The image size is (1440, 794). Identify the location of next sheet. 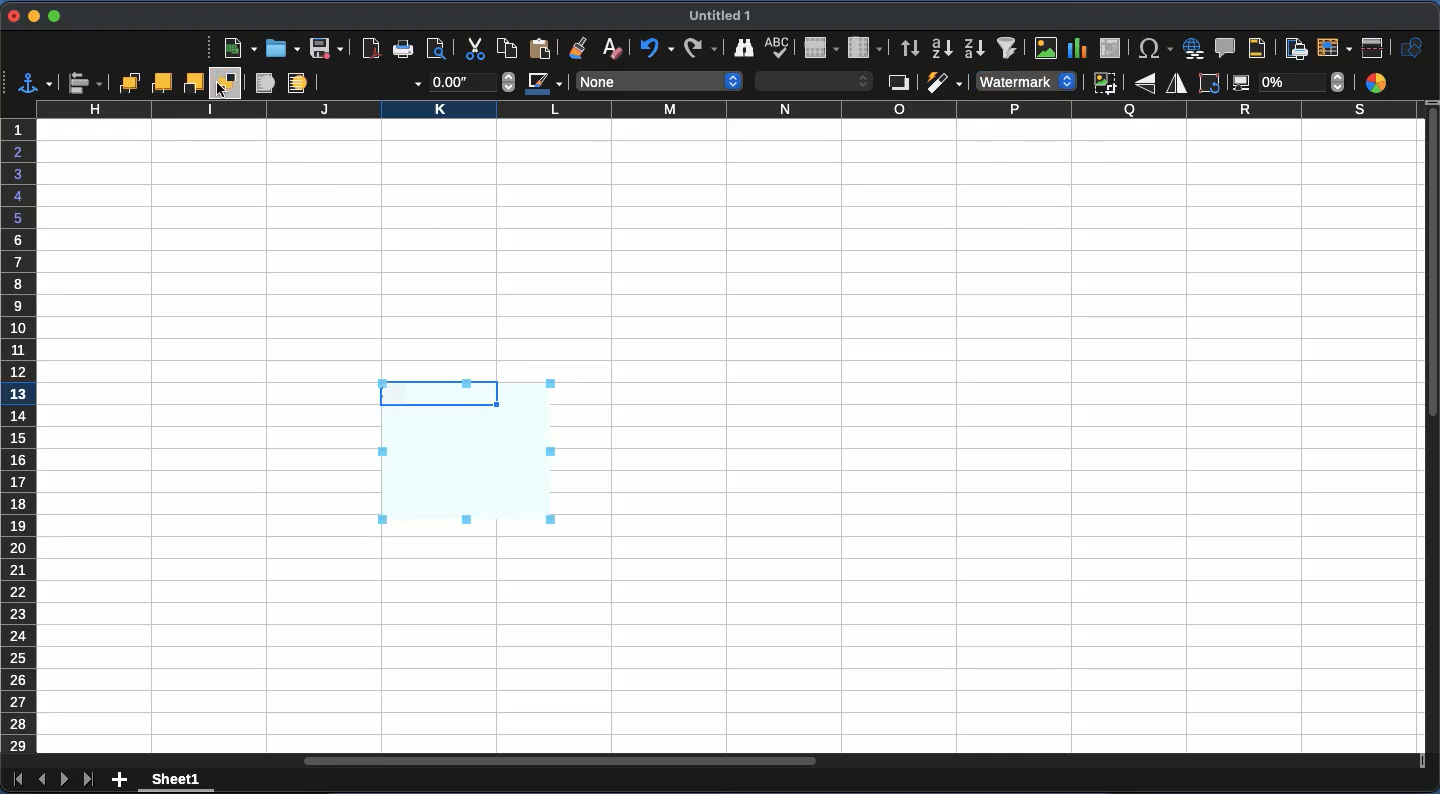
(65, 779).